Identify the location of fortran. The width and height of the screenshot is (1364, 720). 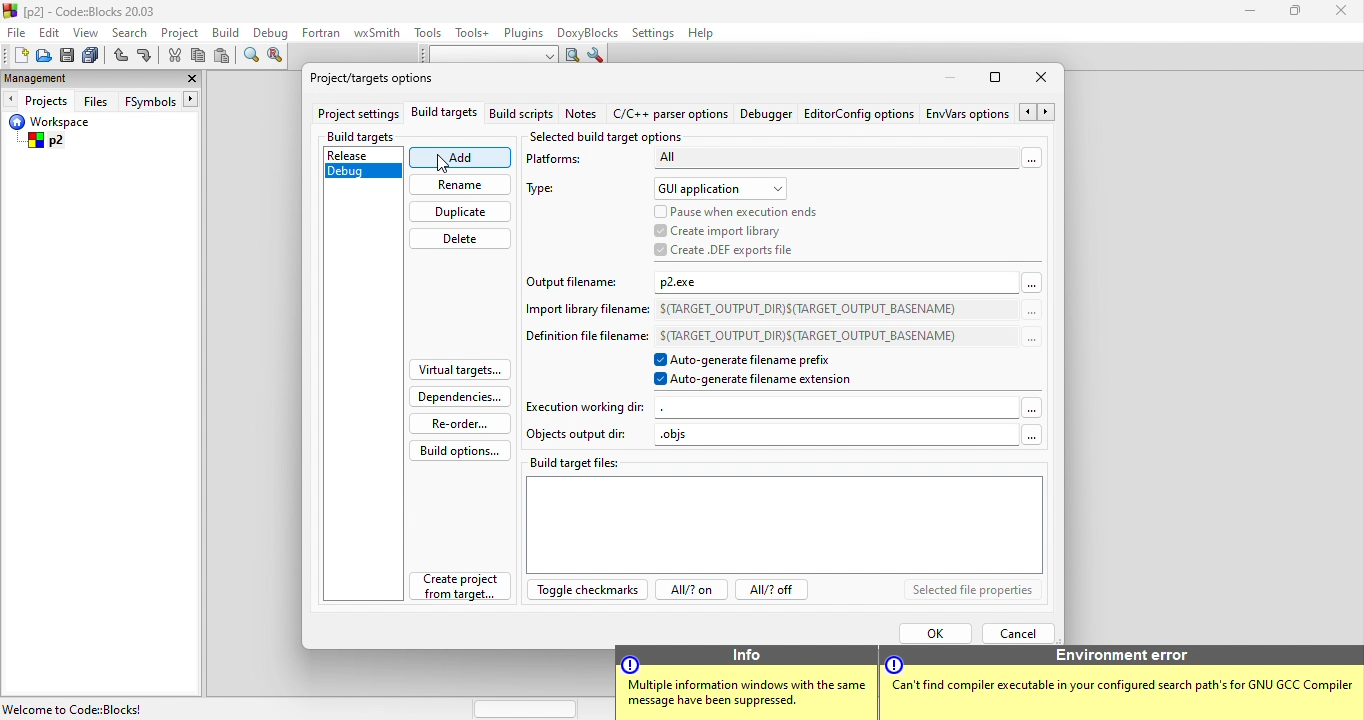
(323, 32).